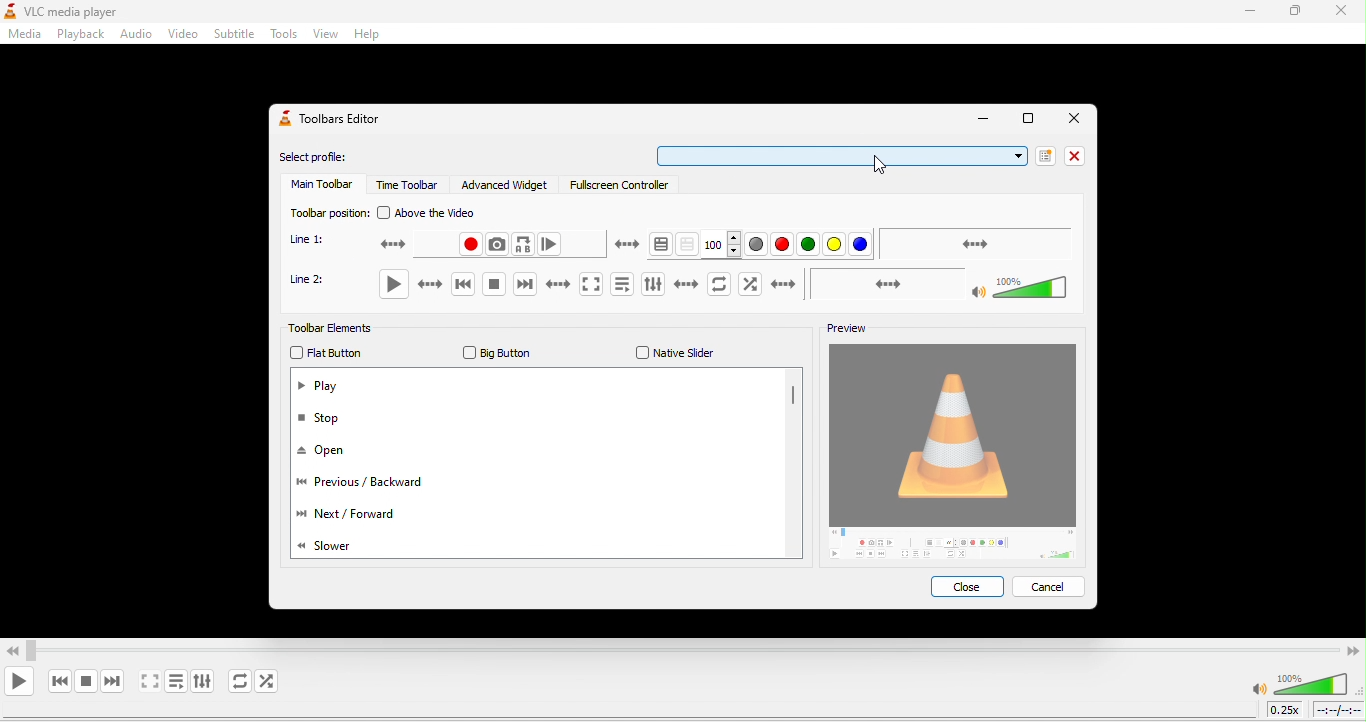 Image resolution: width=1366 pixels, height=722 pixels. Describe the element at coordinates (96, 10) in the screenshot. I see `vlc media player` at that location.